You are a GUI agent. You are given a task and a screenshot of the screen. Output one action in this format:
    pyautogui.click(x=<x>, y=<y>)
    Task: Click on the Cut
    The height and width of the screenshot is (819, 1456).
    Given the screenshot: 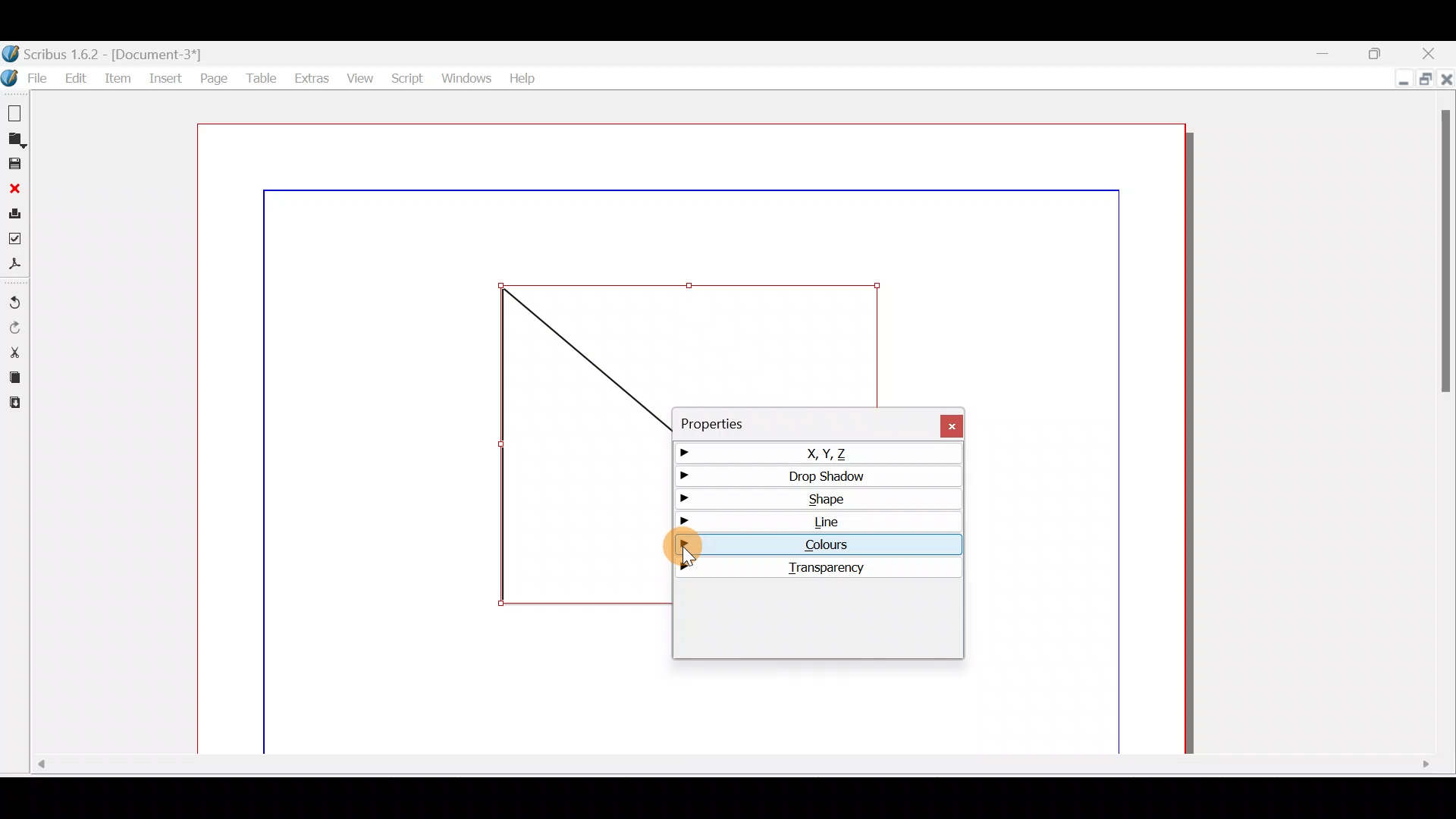 What is the action you would take?
    pyautogui.click(x=14, y=351)
    